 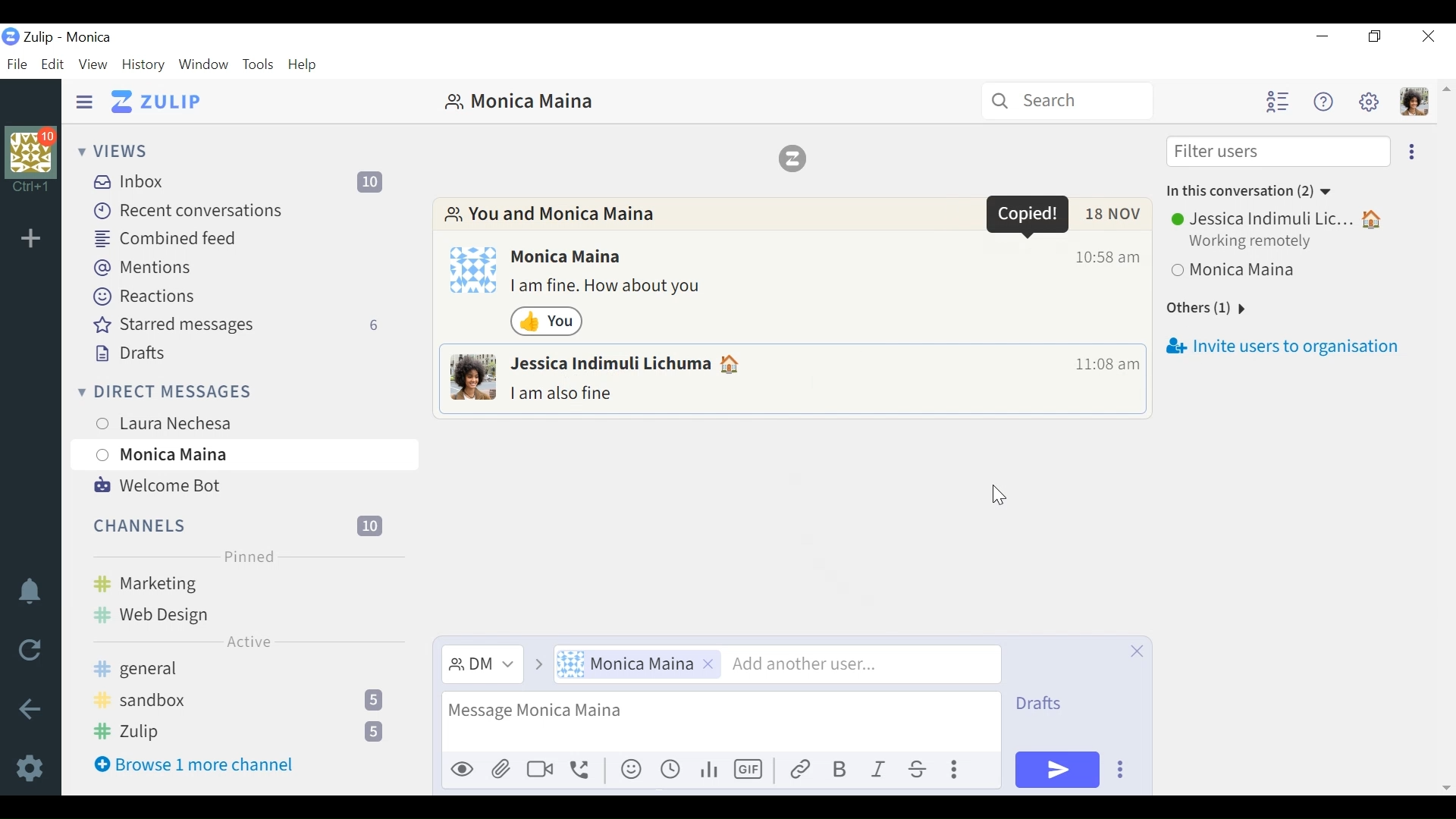 I want to click on Marketing, so click(x=243, y=582).